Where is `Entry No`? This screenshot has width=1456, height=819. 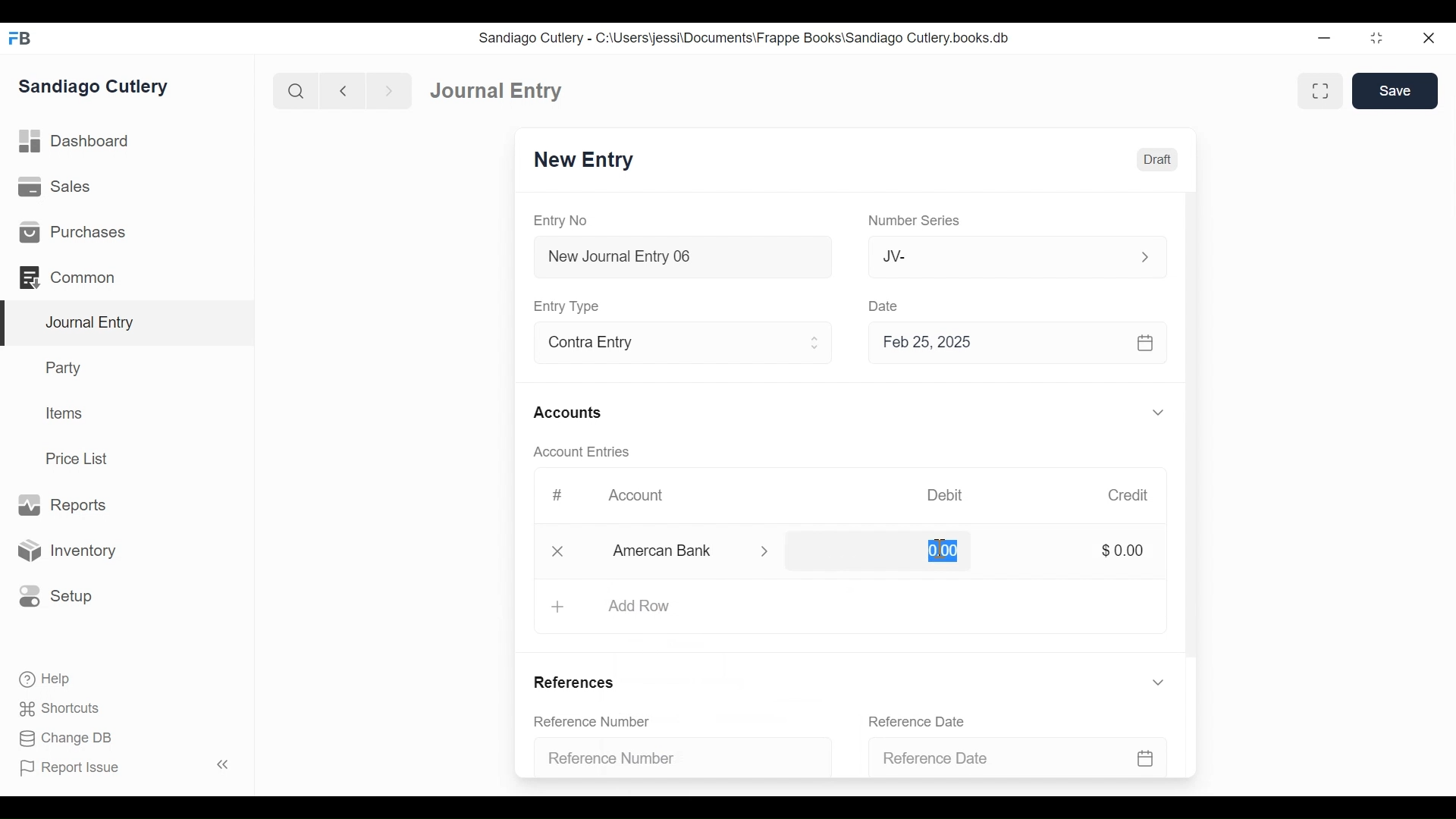 Entry No is located at coordinates (561, 221).